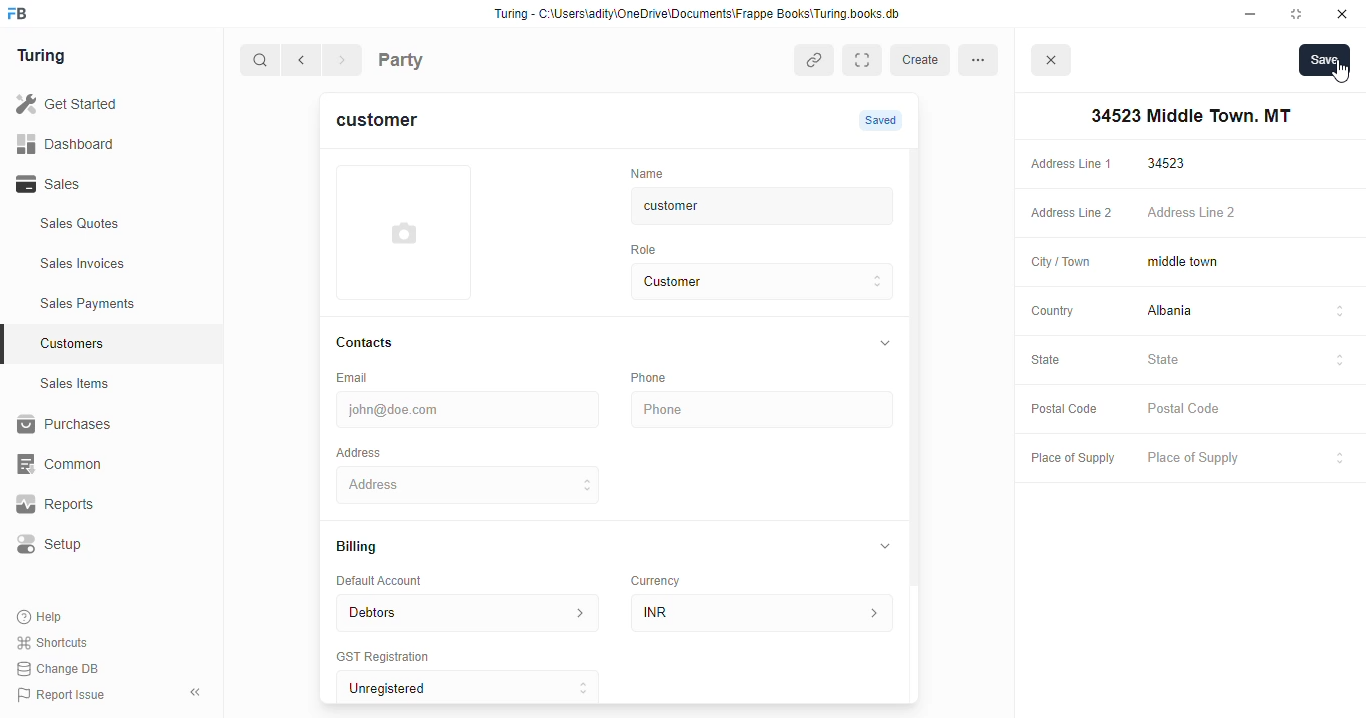 This screenshot has width=1366, height=718. What do you see at coordinates (1187, 116) in the screenshot?
I see `34523 Middle Town. MT` at bounding box center [1187, 116].